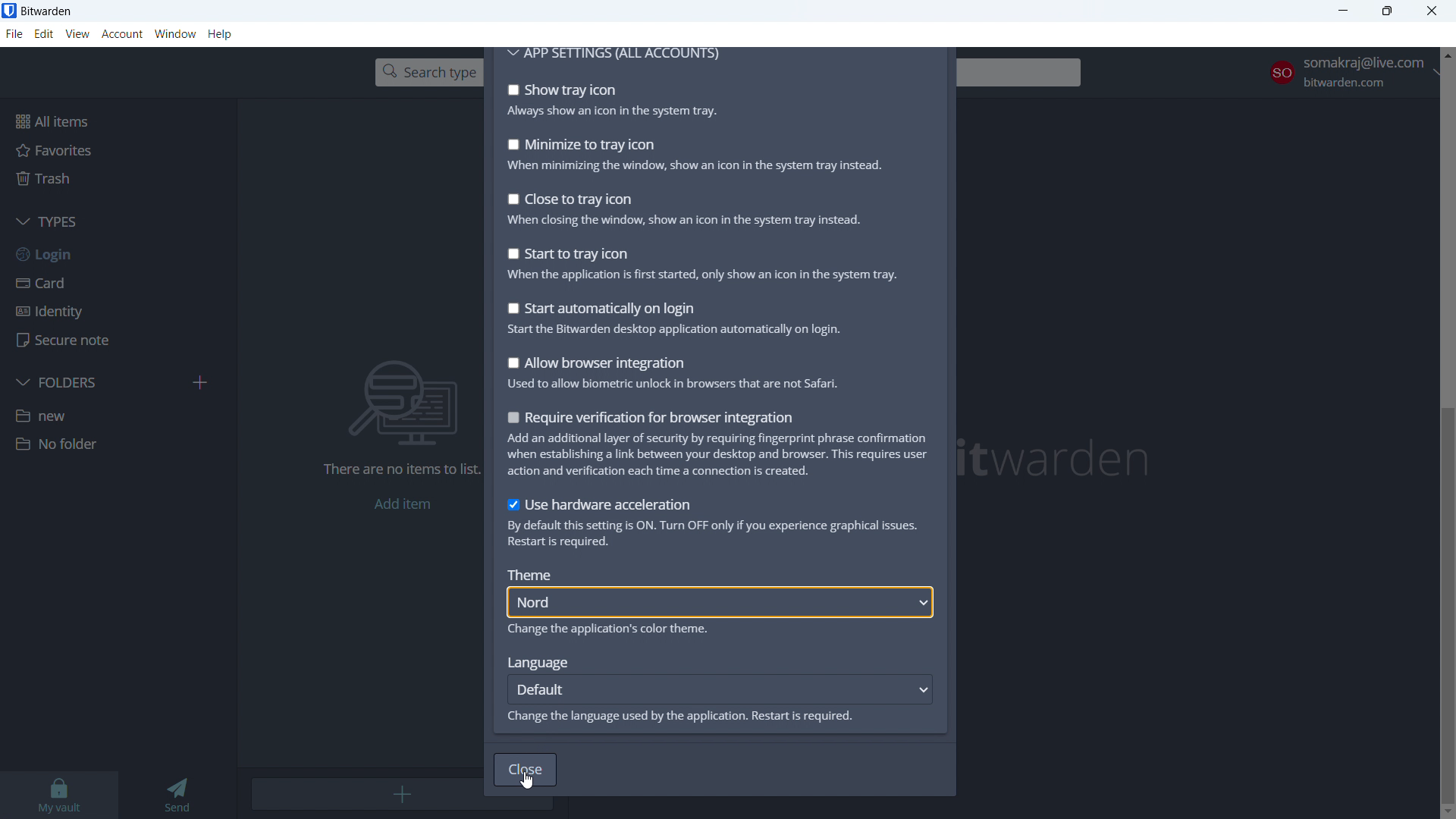 The height and width of the screenshot is (819, 1456). What do you see at coordinates (1342, 11) in the screenshot?
I see `minimize` at bounding box center [1342, 11].